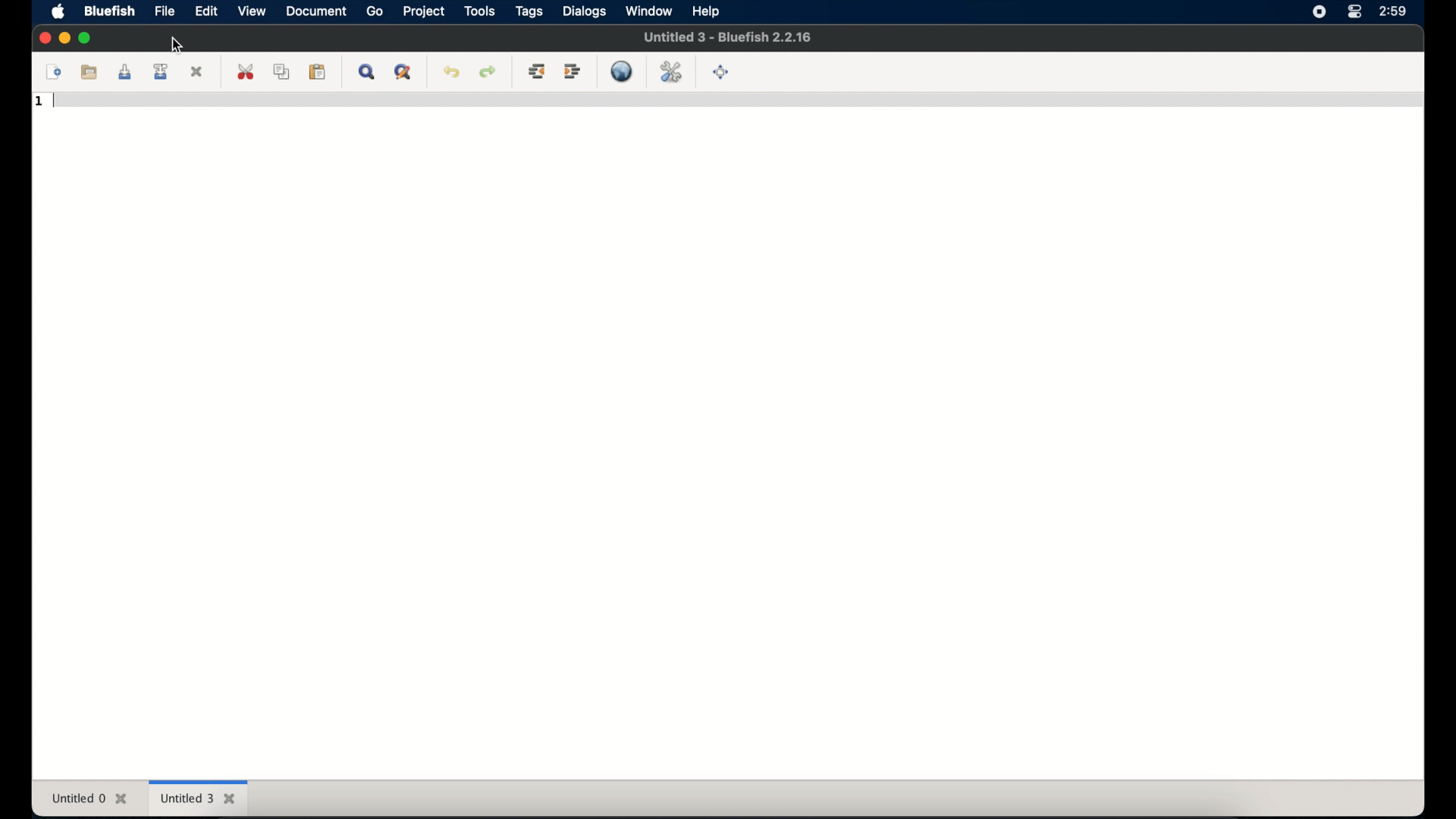  What do you see at coordinates (375, 12) in the screenshot?
I see `go` at bounding box center [375, 12].